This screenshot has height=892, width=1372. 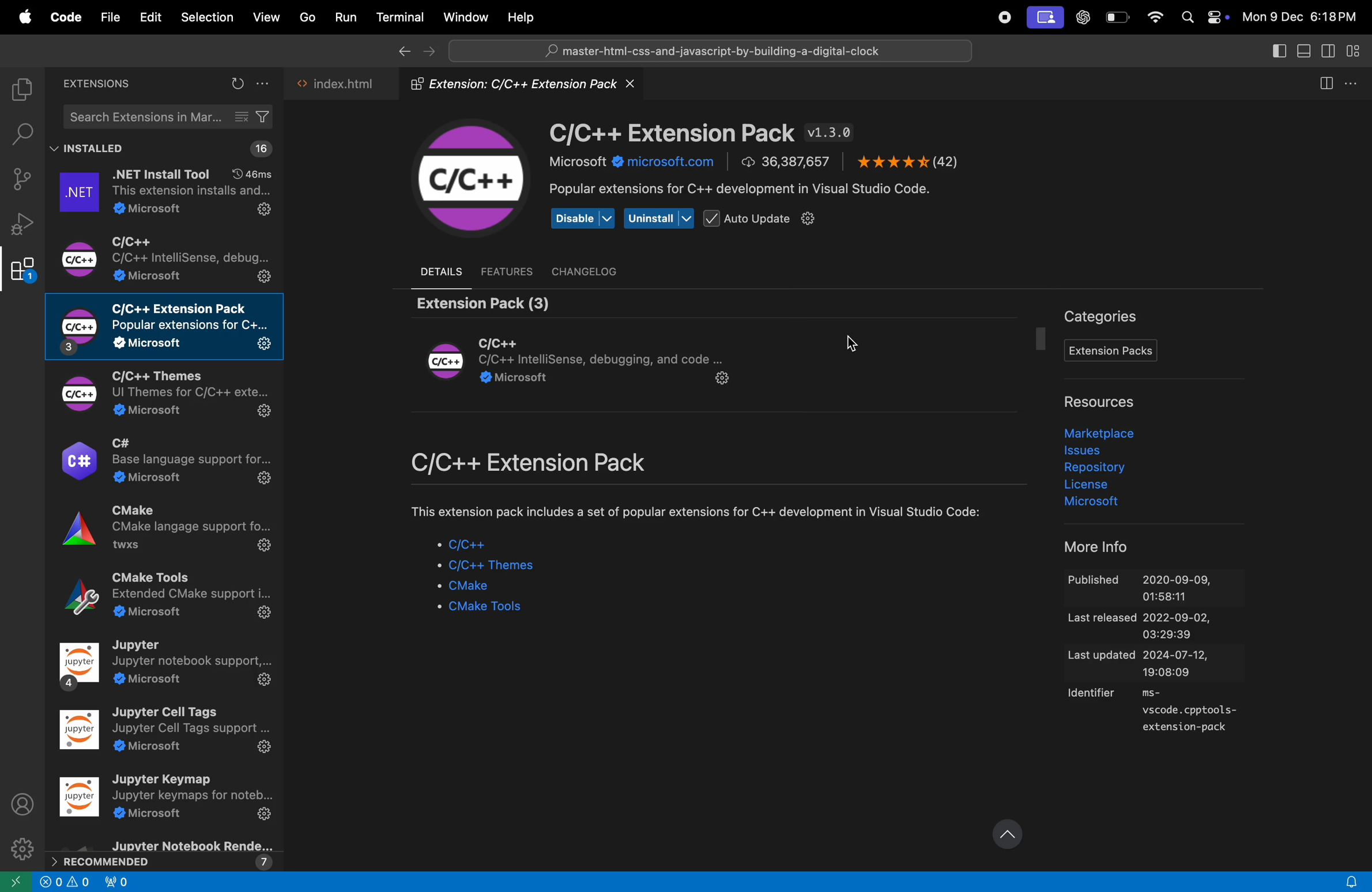 I want to click on apple menu, so click(x=22, y=14).